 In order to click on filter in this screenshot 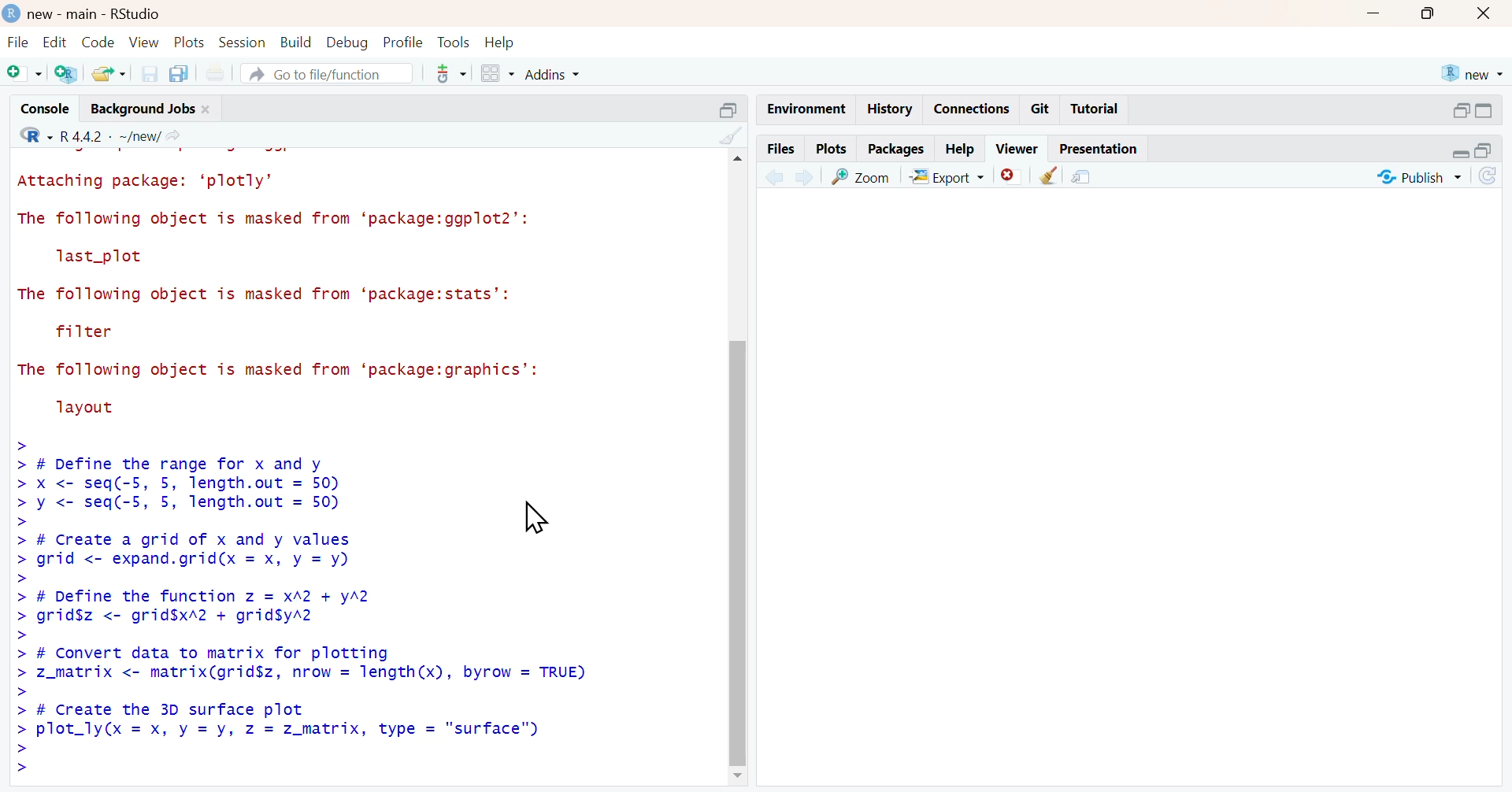, I will do `click(89, 331)`.